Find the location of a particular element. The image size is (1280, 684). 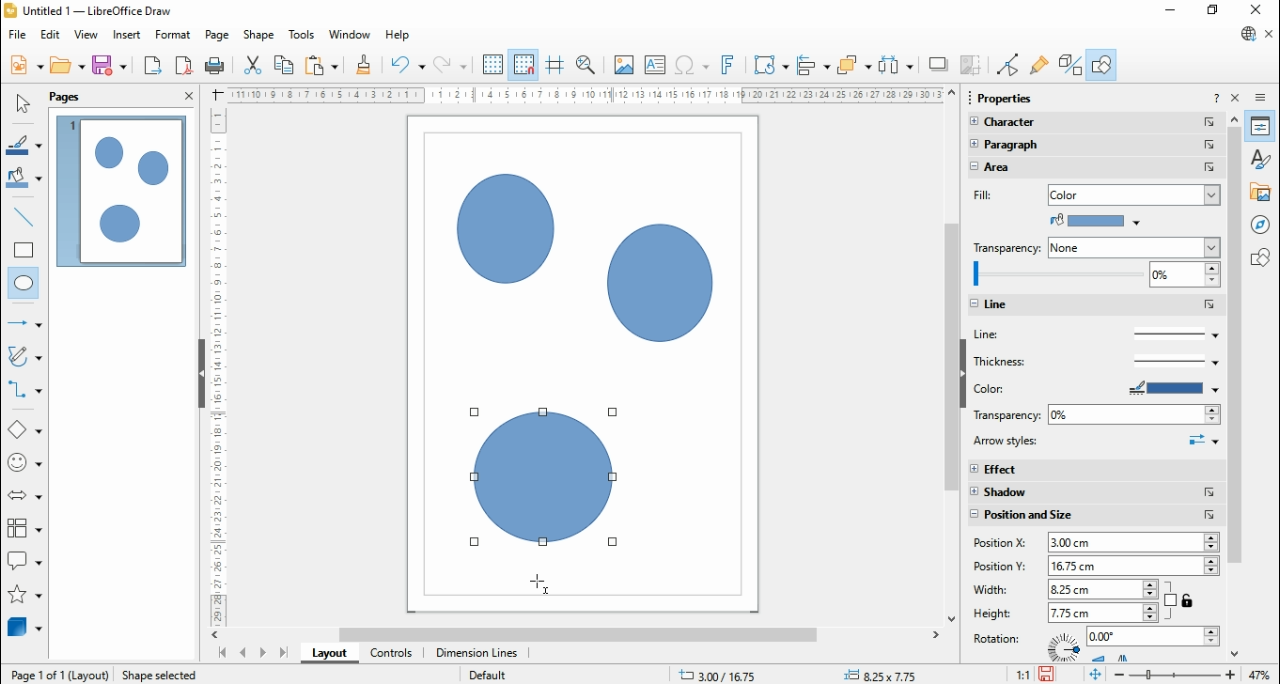

new is located at coordinates (26, 64).